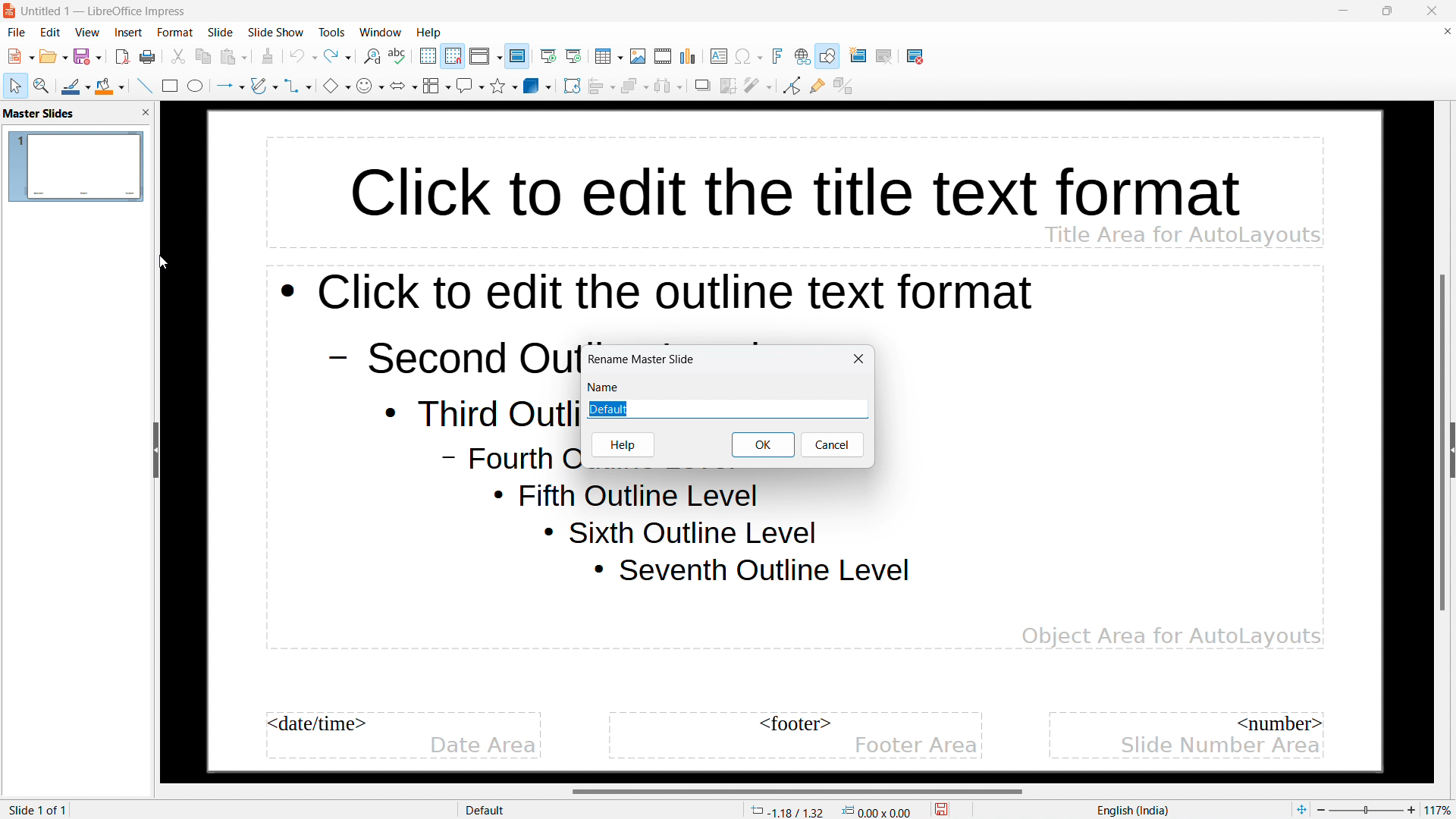 This screenshot has height=819, width=1456. What do you see at coordinates (1171, 629) in the screenshot?
I see `Object Area for AutoLayouts` at bounding box center [1171, 629].